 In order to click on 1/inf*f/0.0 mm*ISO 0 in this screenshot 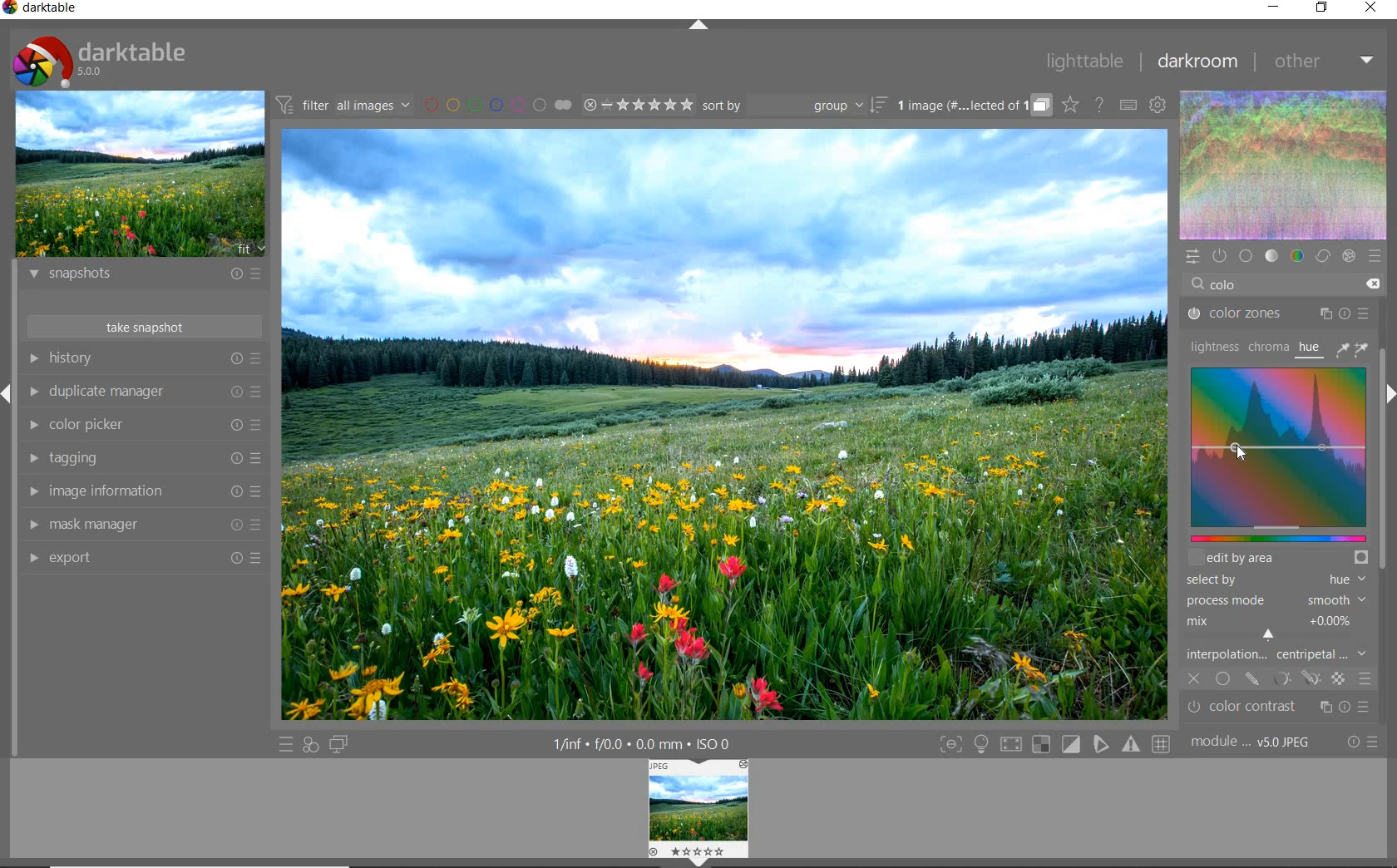, I will do `click(640, 742)`.